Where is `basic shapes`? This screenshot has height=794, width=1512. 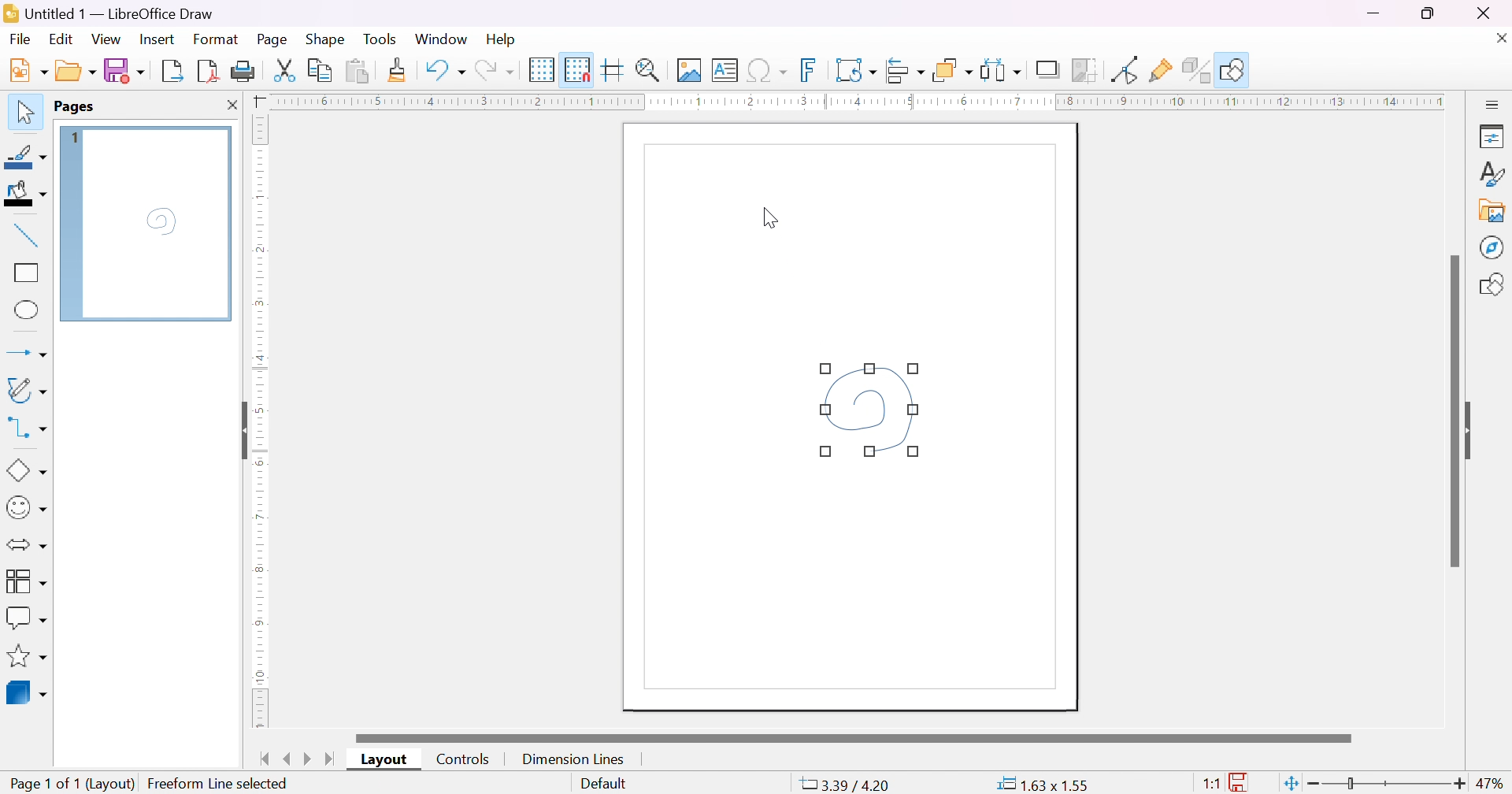 basic shapes is located at coordinates (27, 471).